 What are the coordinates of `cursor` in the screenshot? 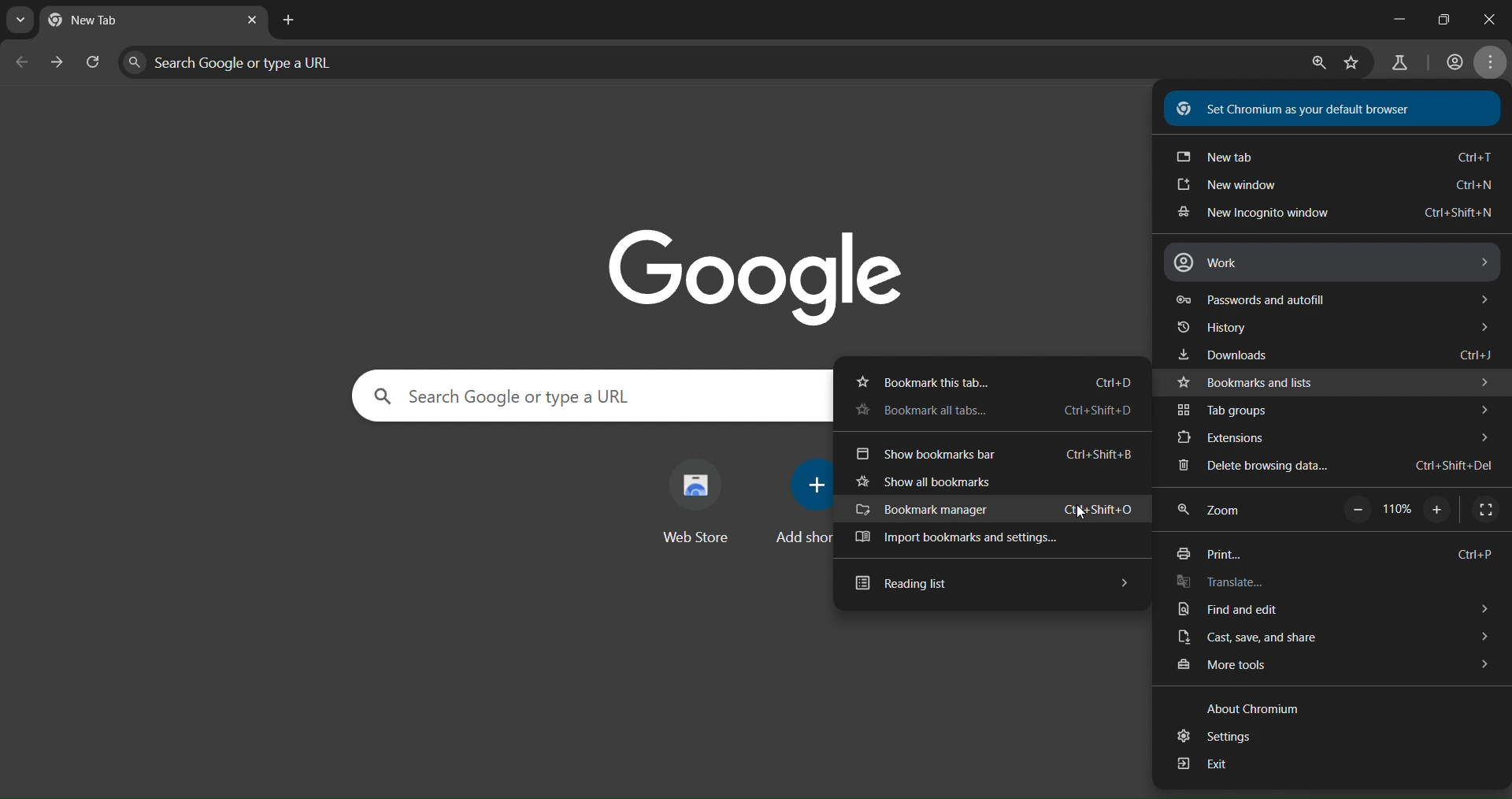 It's located at (1077, 512).